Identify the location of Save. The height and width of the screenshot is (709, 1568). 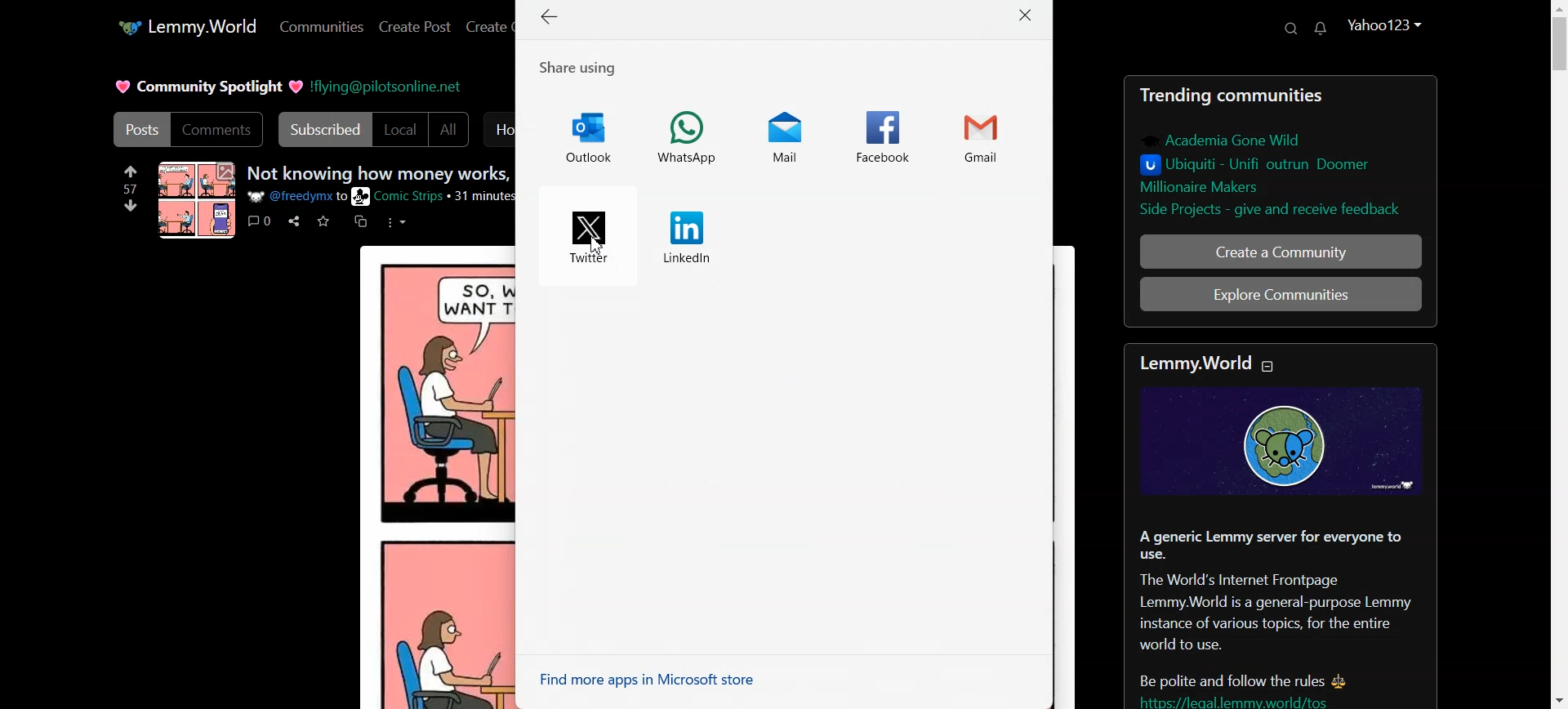
(324, 221).